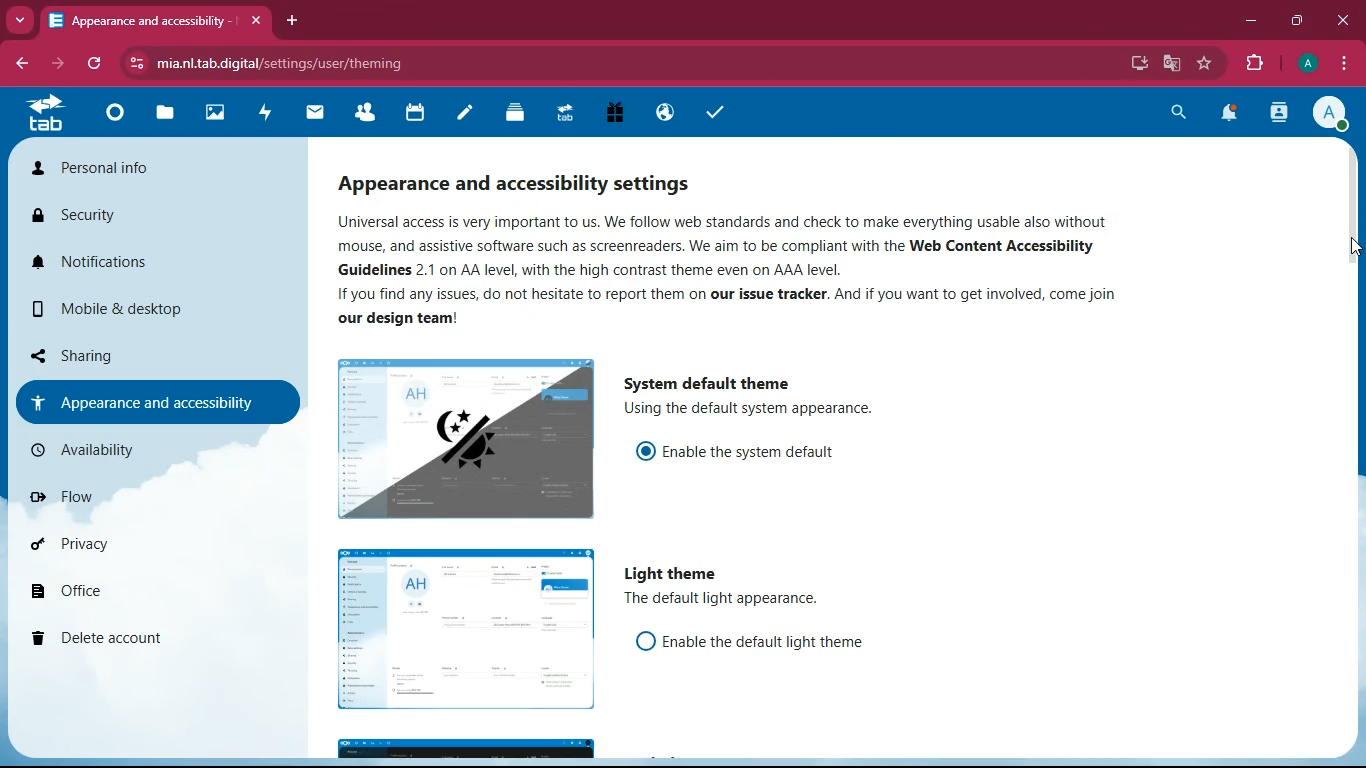 Image resolution: width=1366 pixels, height=768 pixels. I want to click on description, so click(756, 411).